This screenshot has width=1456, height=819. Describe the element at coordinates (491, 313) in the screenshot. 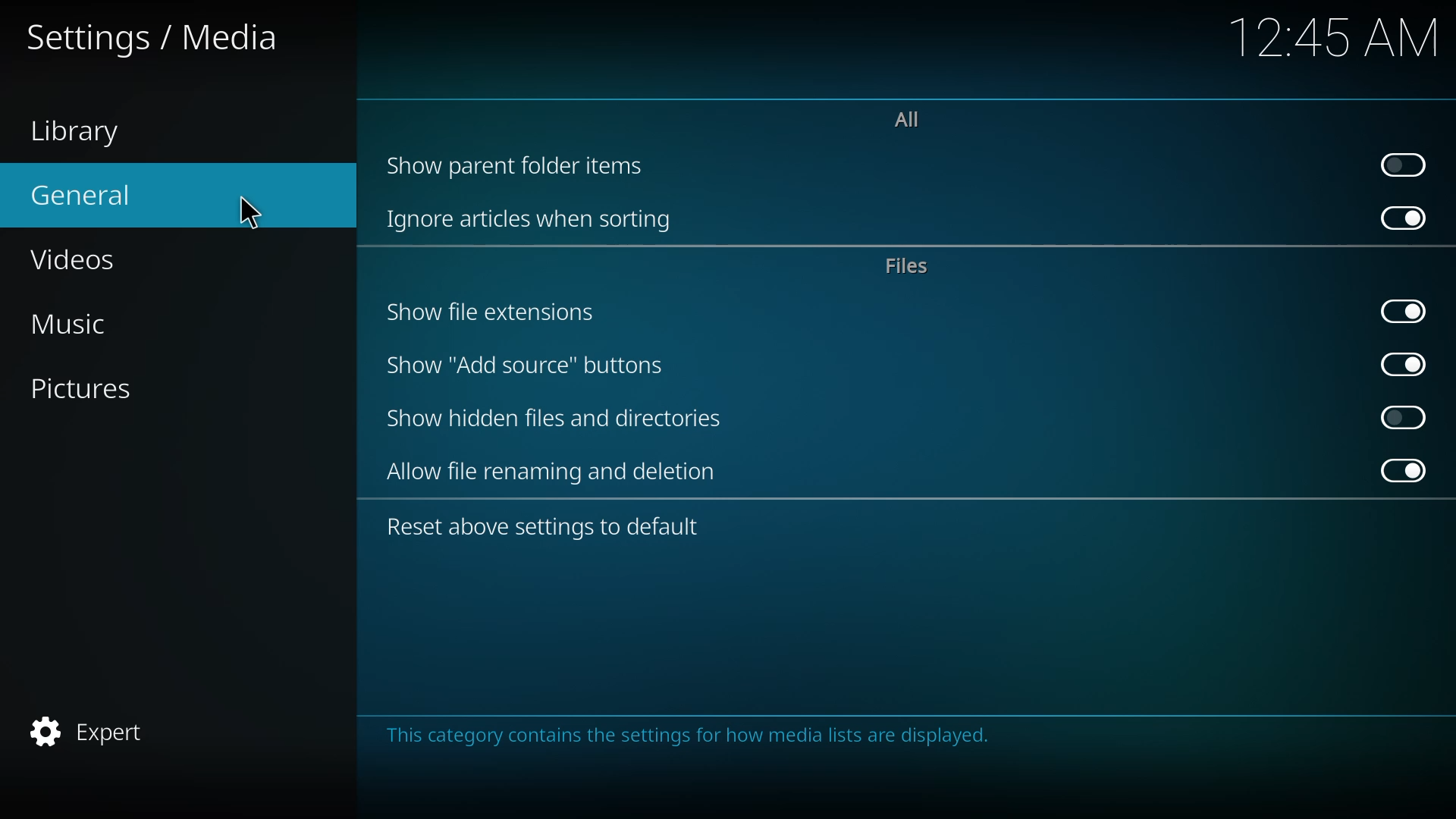

I see `show file extensions` at that location.